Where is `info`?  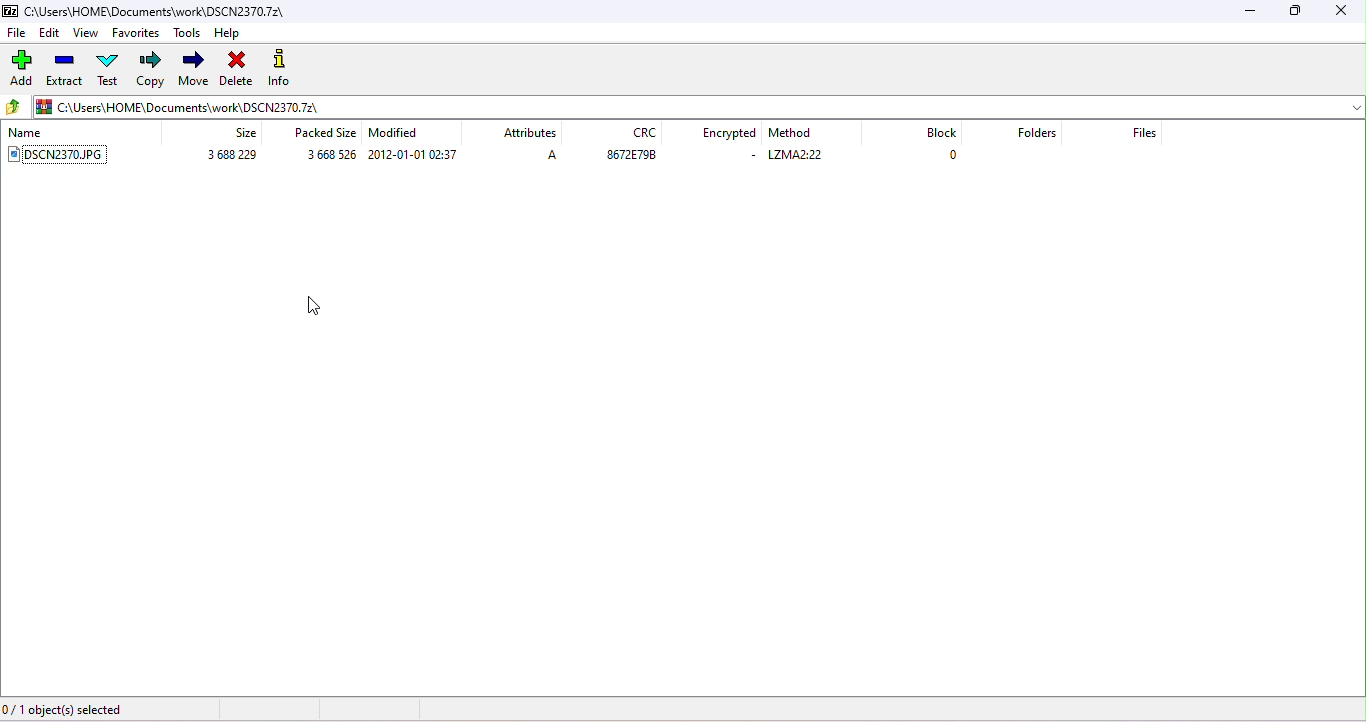 info is located at coordinates (283, 67).